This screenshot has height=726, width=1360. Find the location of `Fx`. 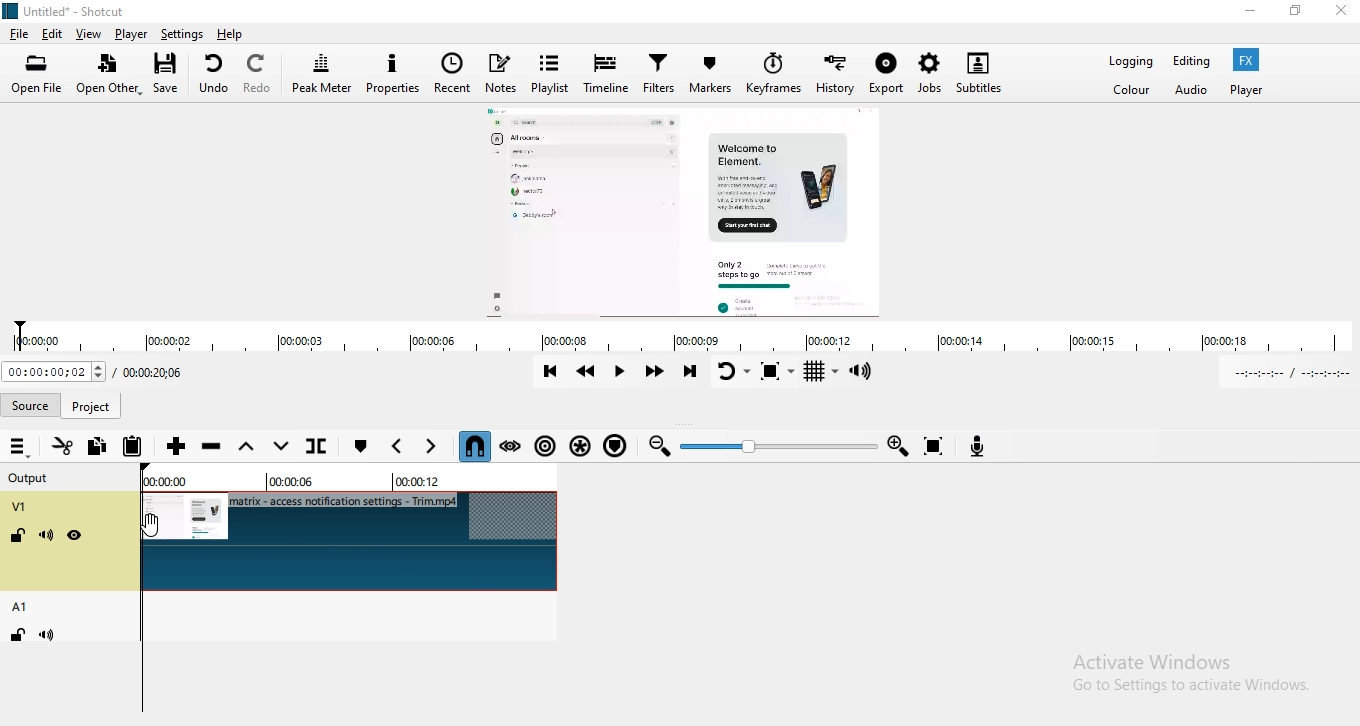

Fx is located at coordinates (1251, 60).